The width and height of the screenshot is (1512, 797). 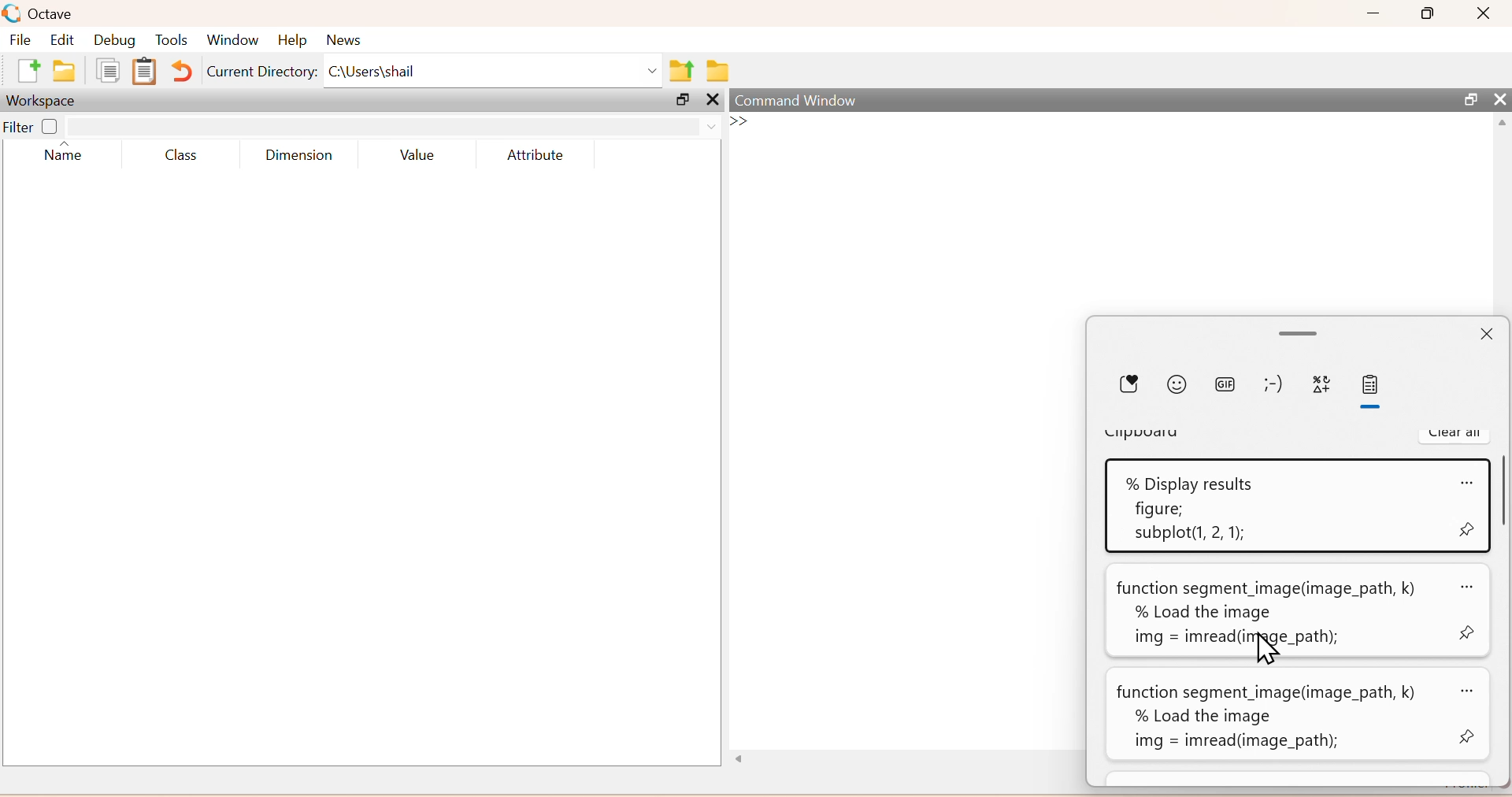 I want to click on Clear all, so click(x=1455, y=433).